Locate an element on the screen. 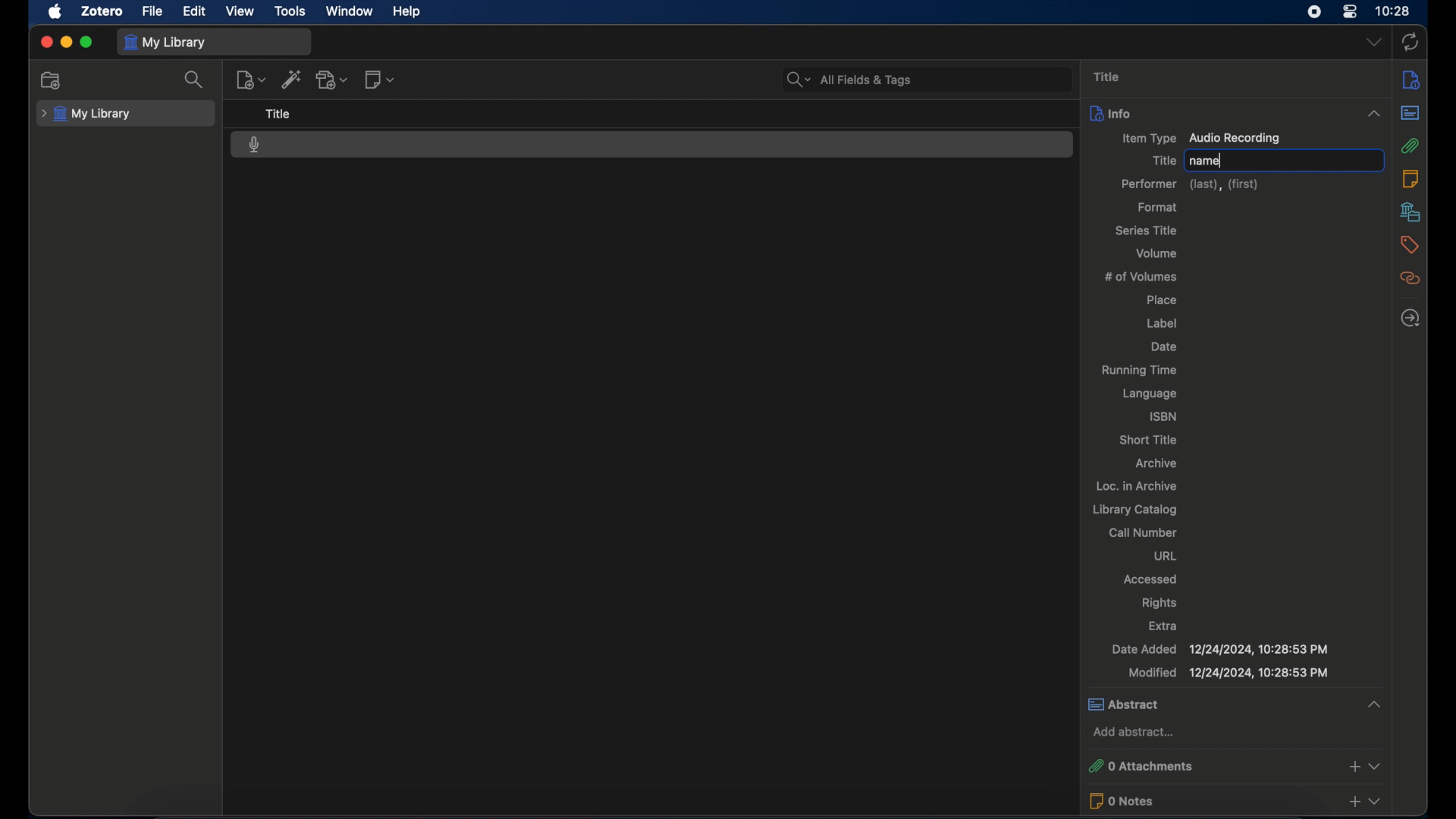 The image size is (1456, 819). file is located at coordinates (152, 11).